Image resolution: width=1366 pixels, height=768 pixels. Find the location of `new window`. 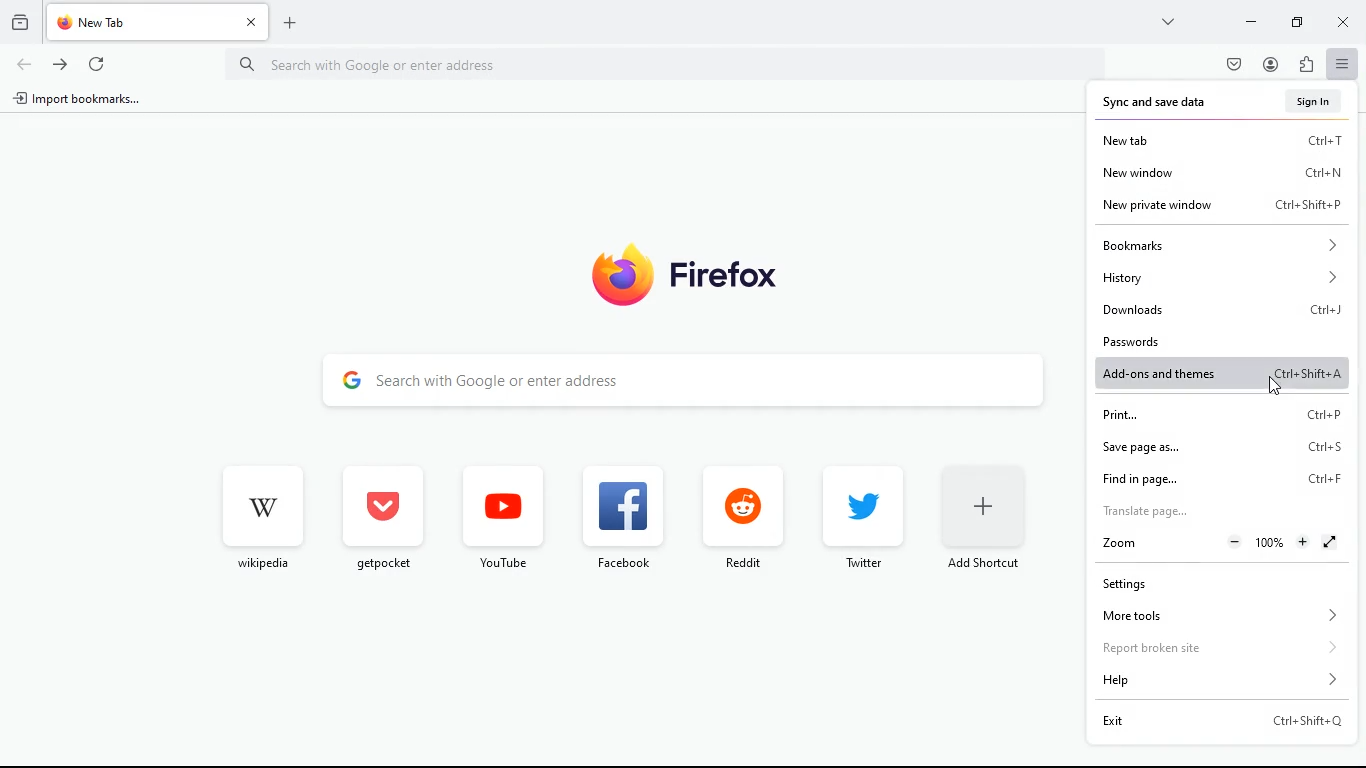

new window is located at coordinates (1221, 172).